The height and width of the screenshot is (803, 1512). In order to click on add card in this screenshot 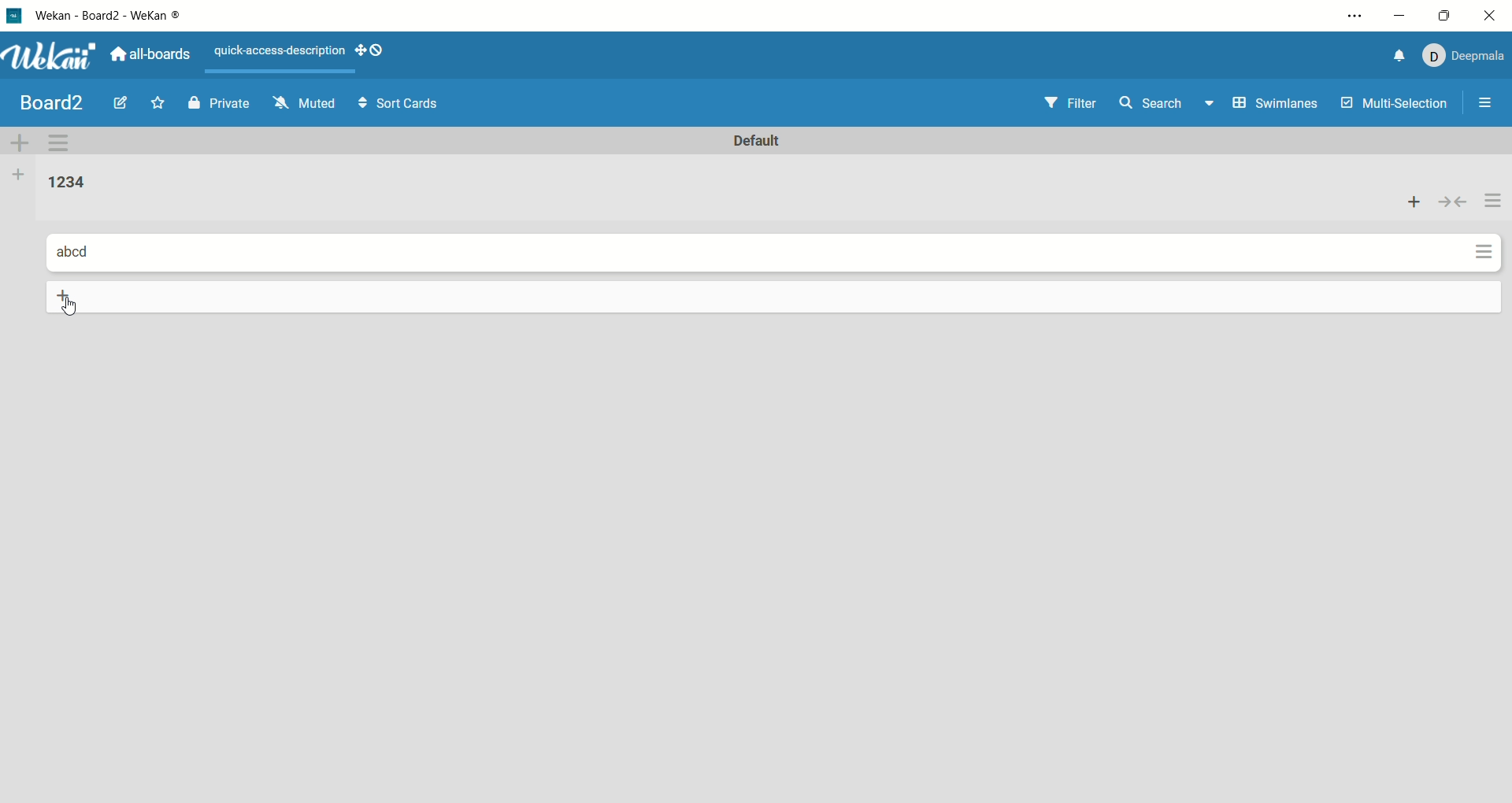, I will do `click(58, 296)`.